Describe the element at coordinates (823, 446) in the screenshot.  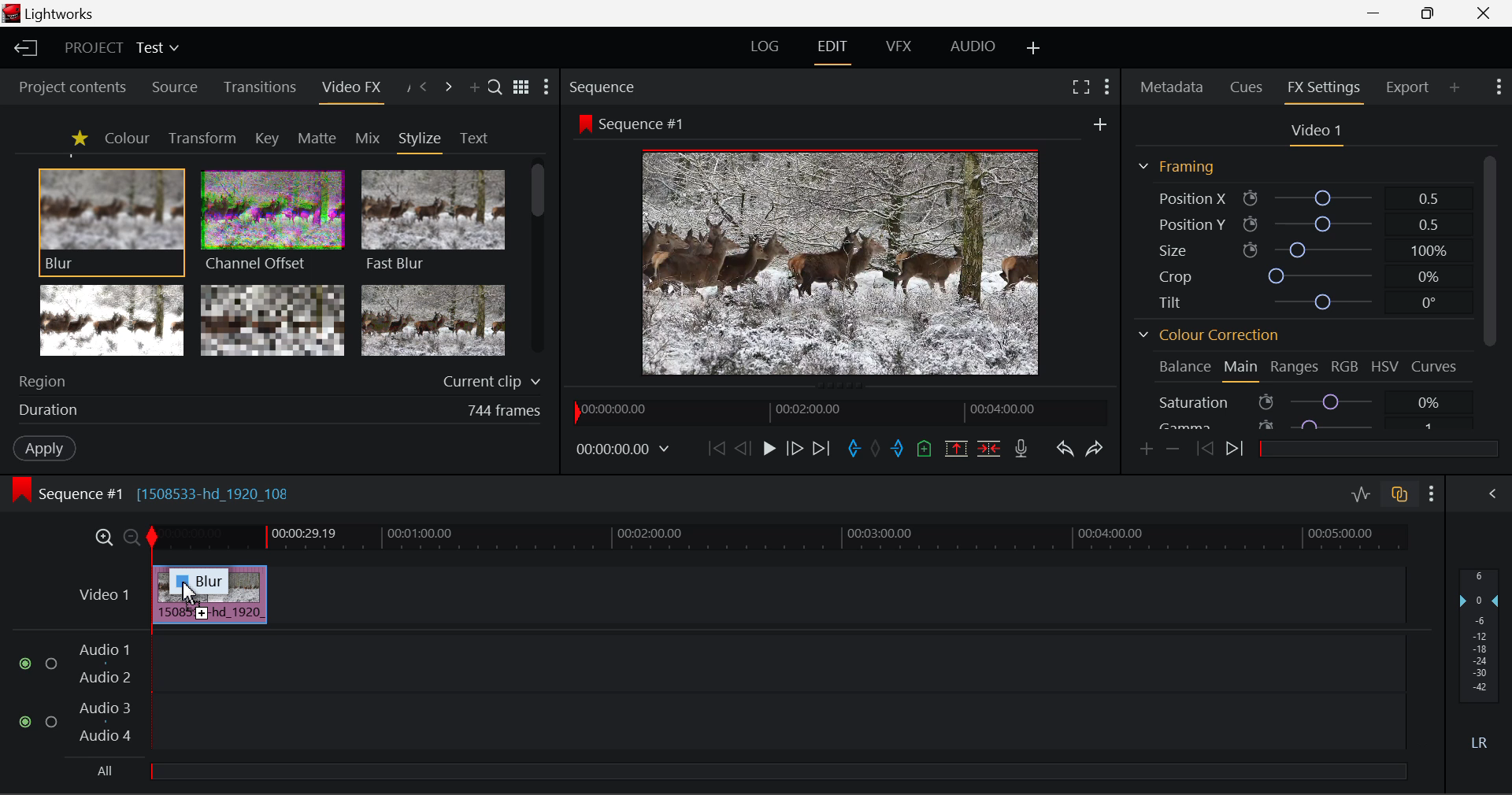
I see `To End` at that location.